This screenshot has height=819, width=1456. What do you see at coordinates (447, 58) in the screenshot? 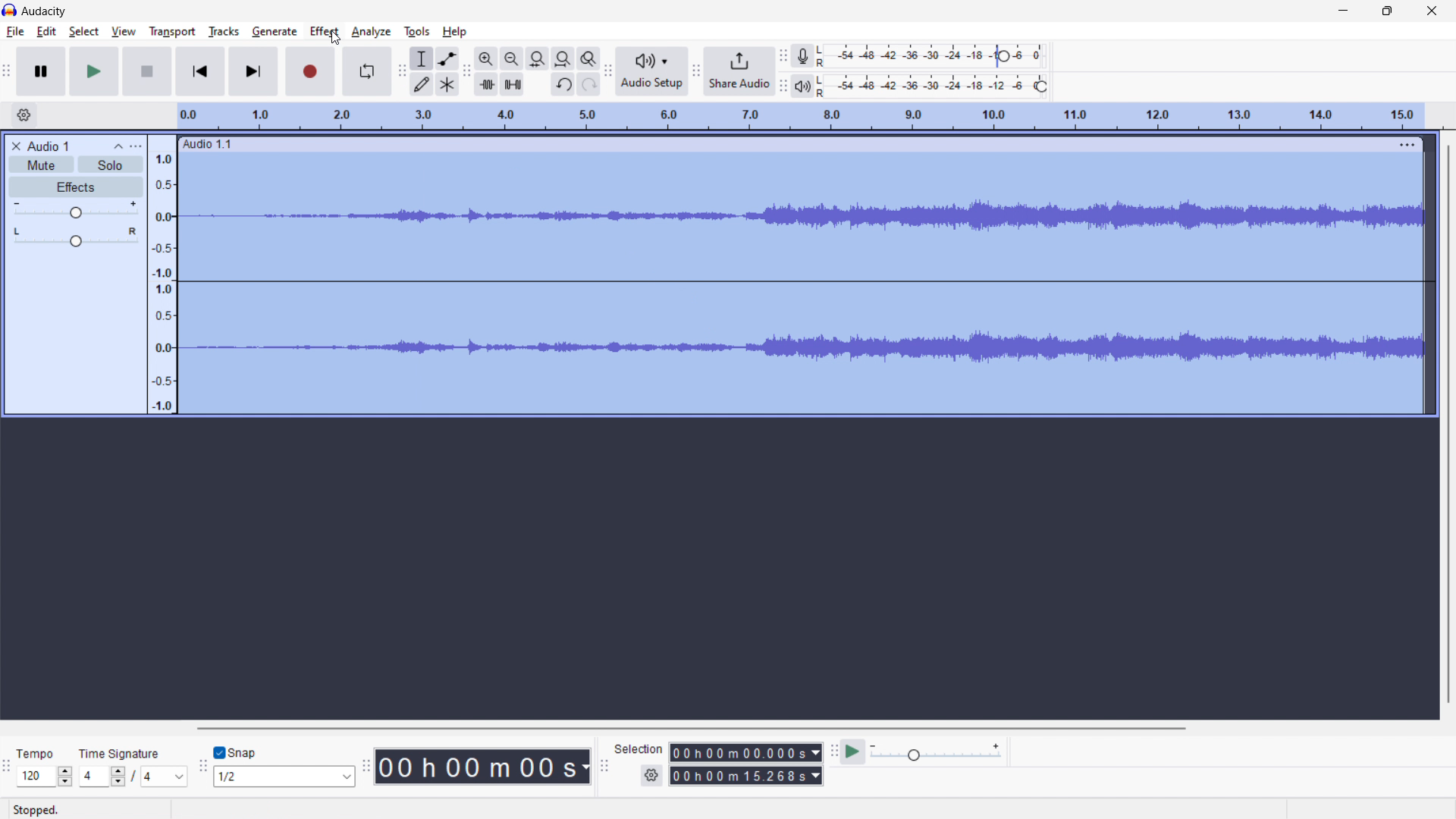
I see `envelop tool` at bounding box center [447, 58].